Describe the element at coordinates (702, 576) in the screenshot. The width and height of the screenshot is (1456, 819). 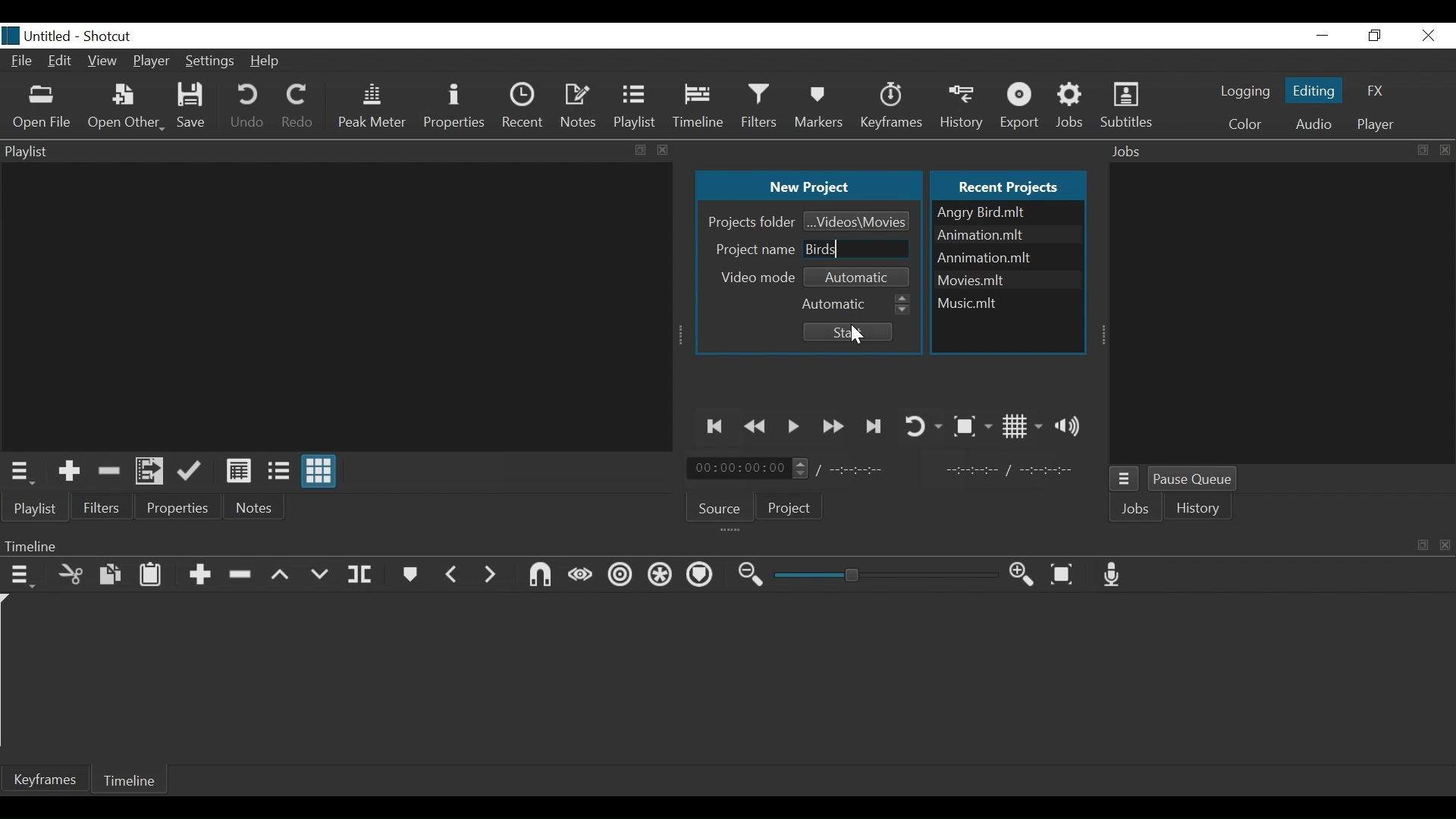
I see `Ripple Markers` at that location.